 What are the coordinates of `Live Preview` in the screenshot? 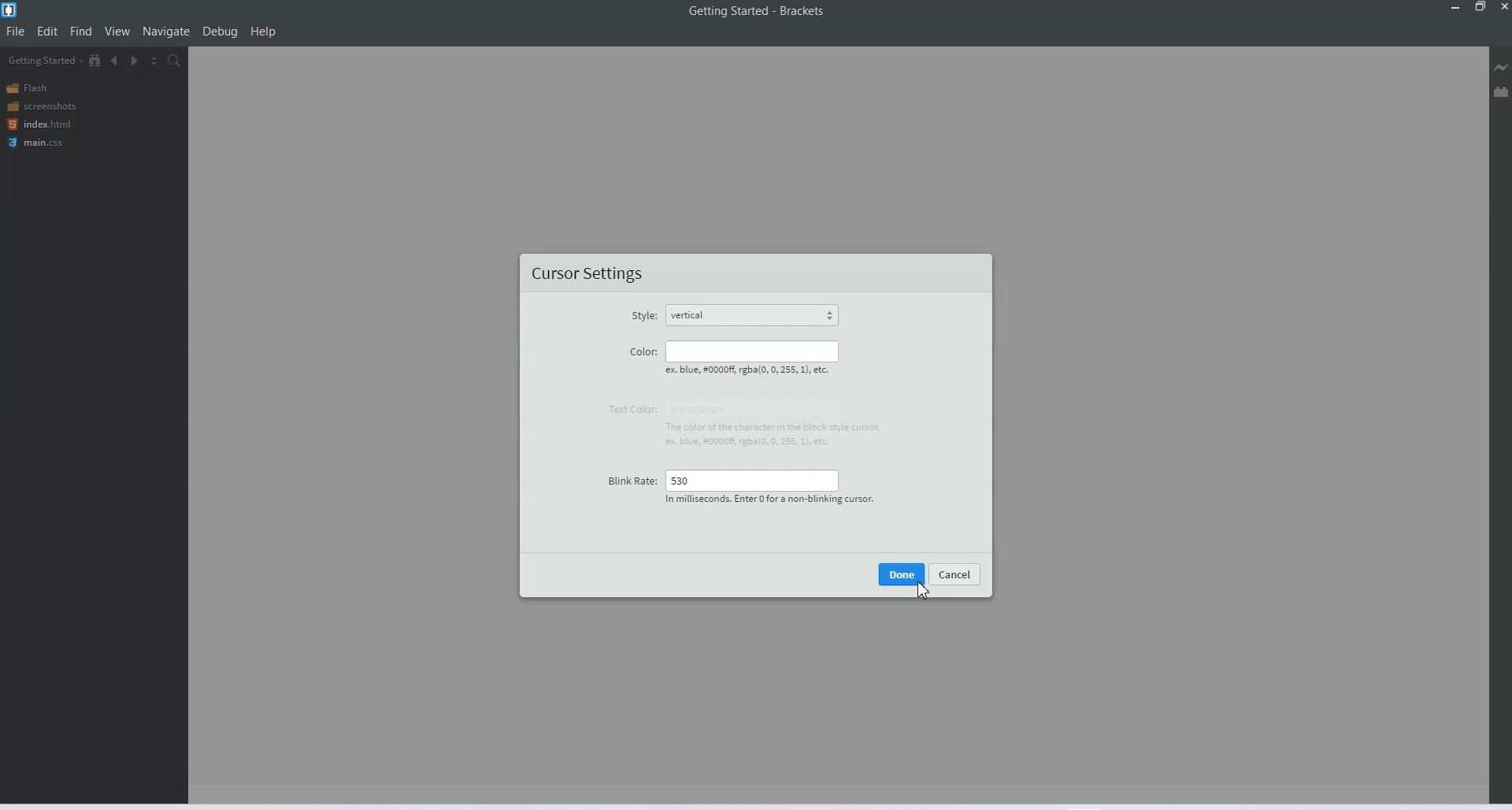 It's located at (1501, 67).